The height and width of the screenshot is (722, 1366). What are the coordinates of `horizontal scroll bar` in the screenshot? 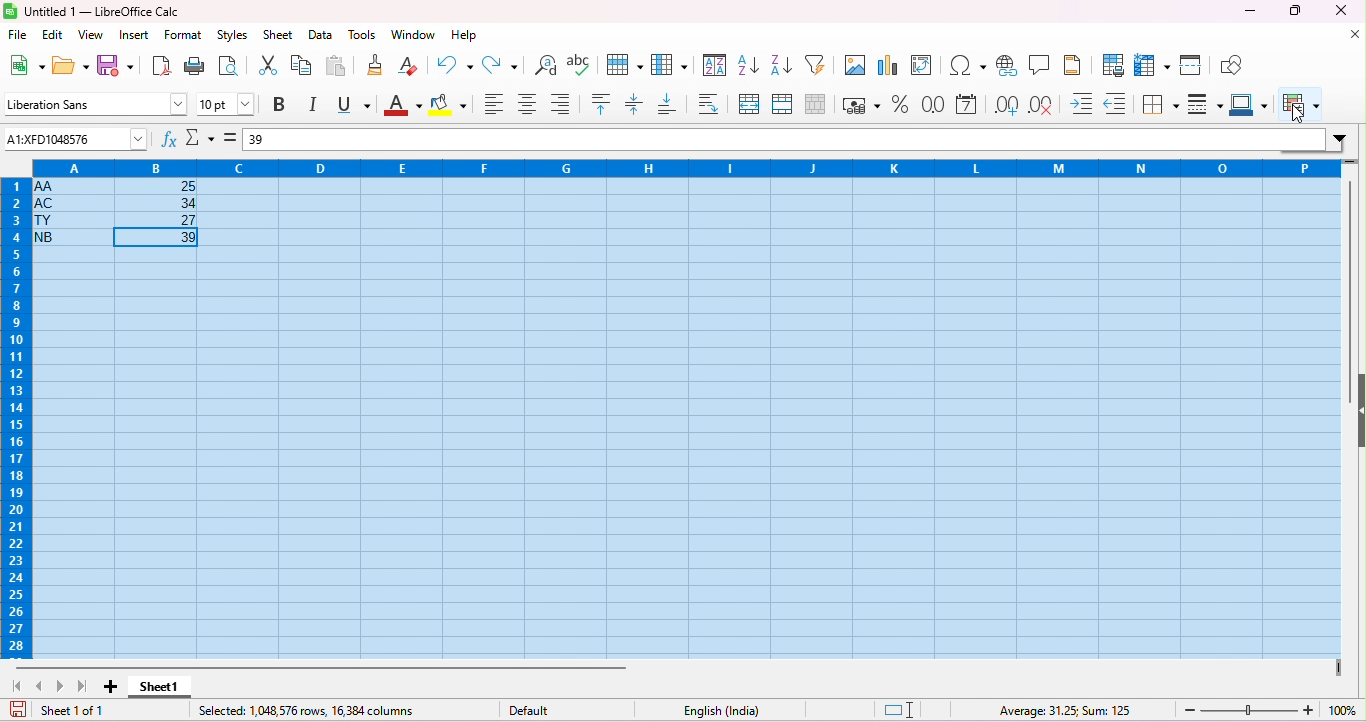 It's located at (323, 667).